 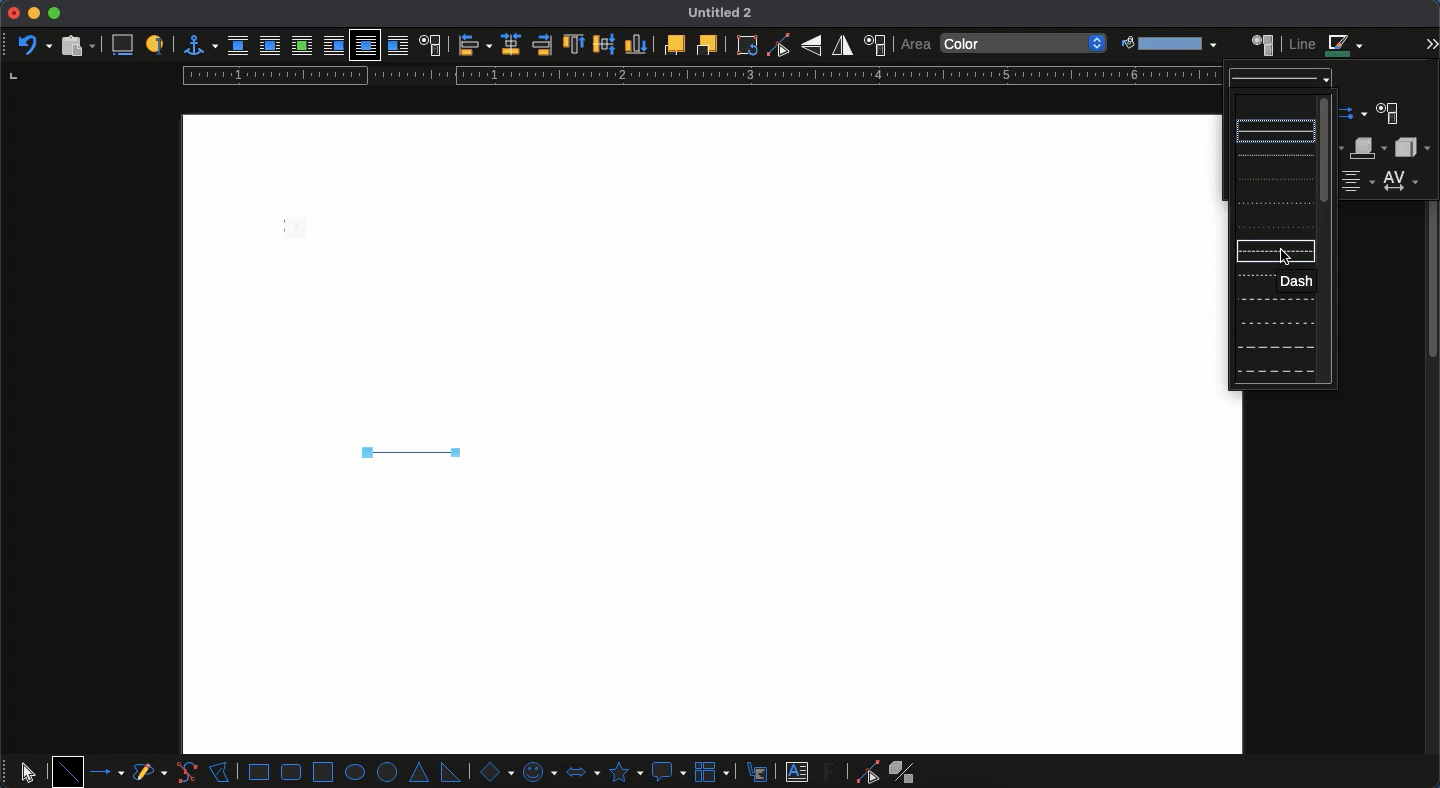 What do you see at coordinates (121, 46) in the screenshot?
I see `insert caption` at bounding box center [121, 46].